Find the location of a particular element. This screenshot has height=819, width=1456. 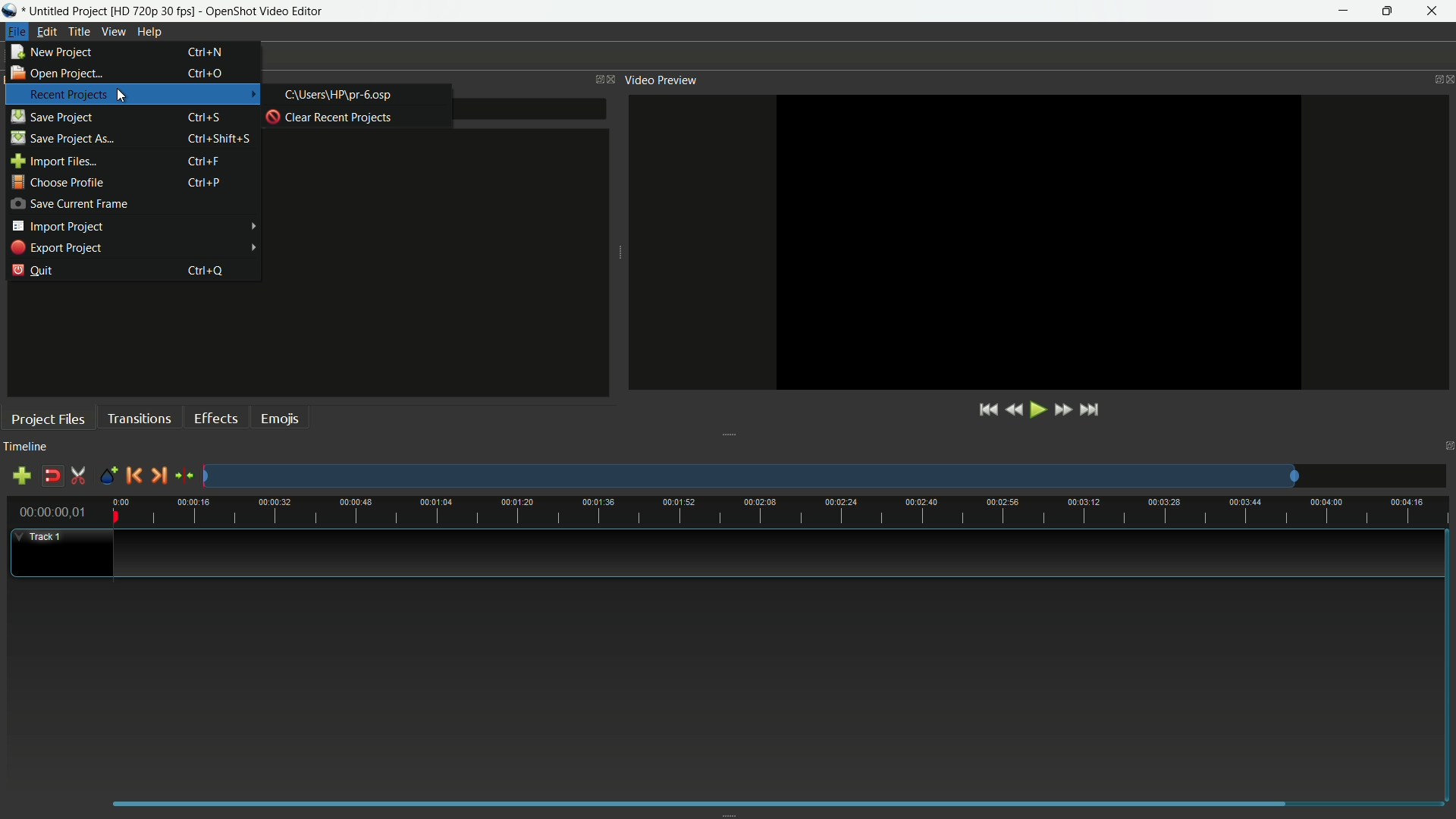

track 1 is located at coordinates (44, 536).